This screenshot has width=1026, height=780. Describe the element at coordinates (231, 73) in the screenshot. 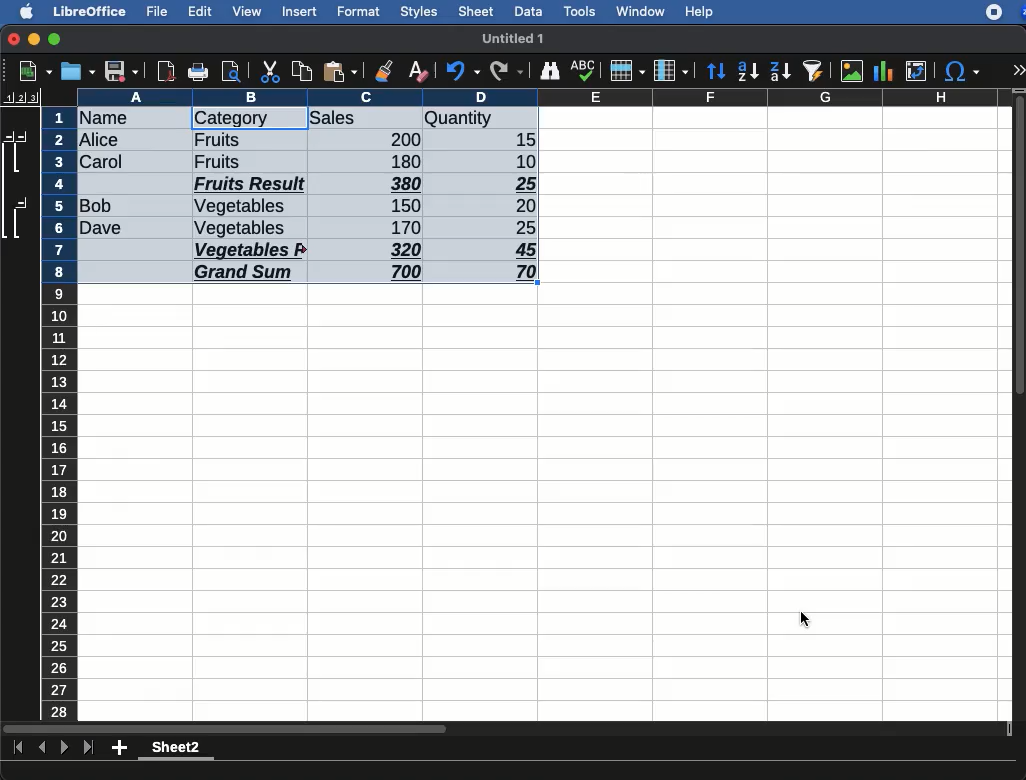

I see `print preview` at that location.